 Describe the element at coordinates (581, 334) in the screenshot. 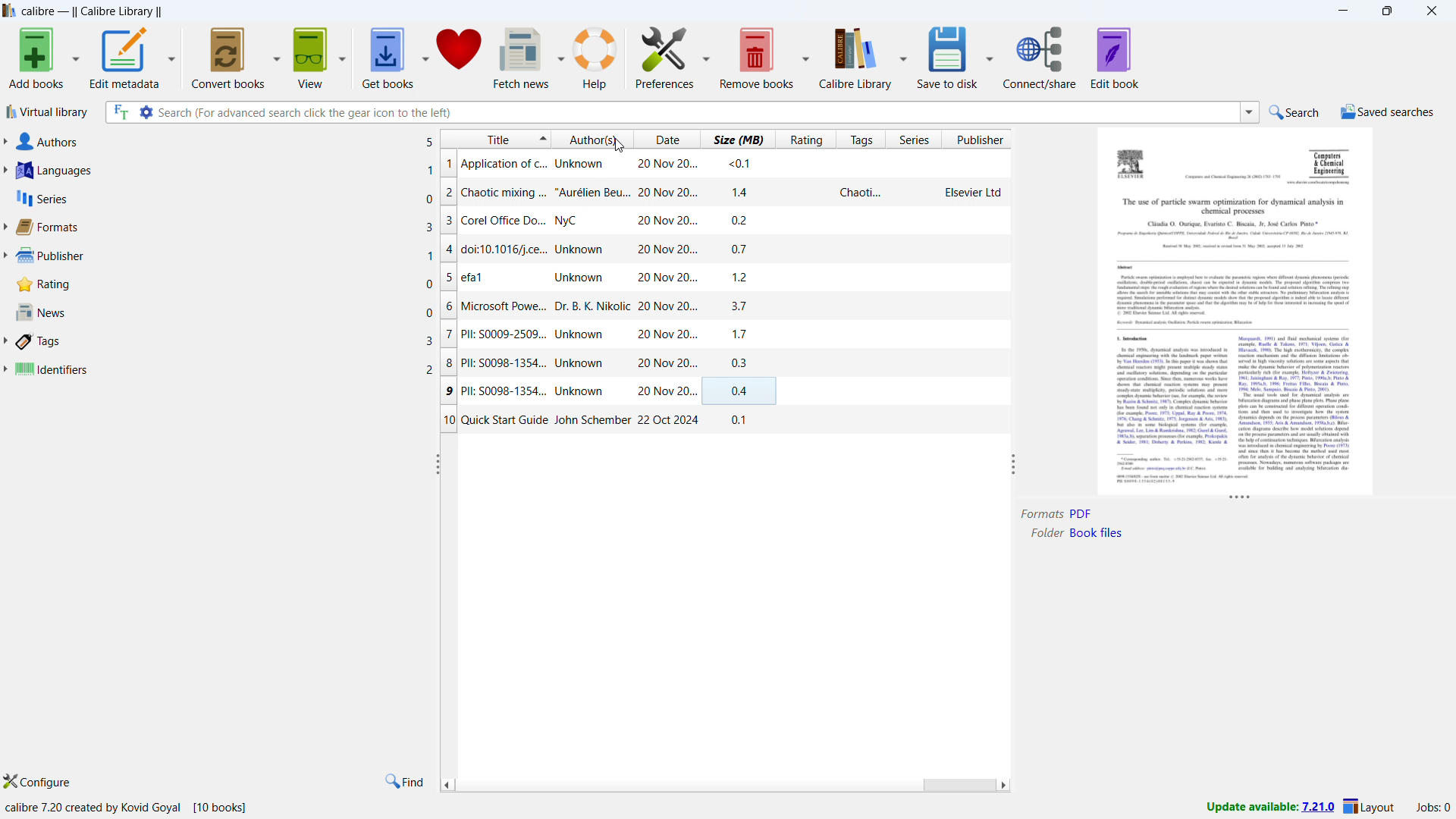

I see `PII: S0009-2509... Unknown 20 Nov 20...` at that location.